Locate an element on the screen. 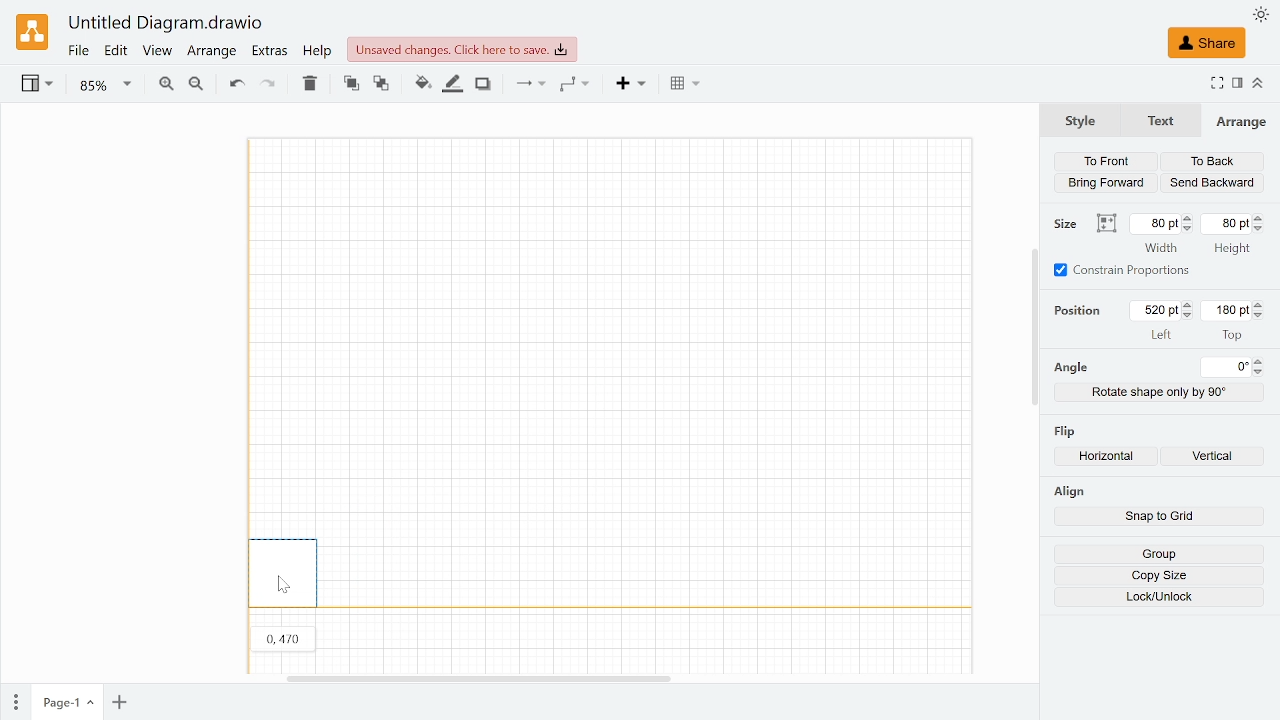 Image resolution: width=1280 pixels, height=720 pixels. flip is located at coordinates (1067, 429).